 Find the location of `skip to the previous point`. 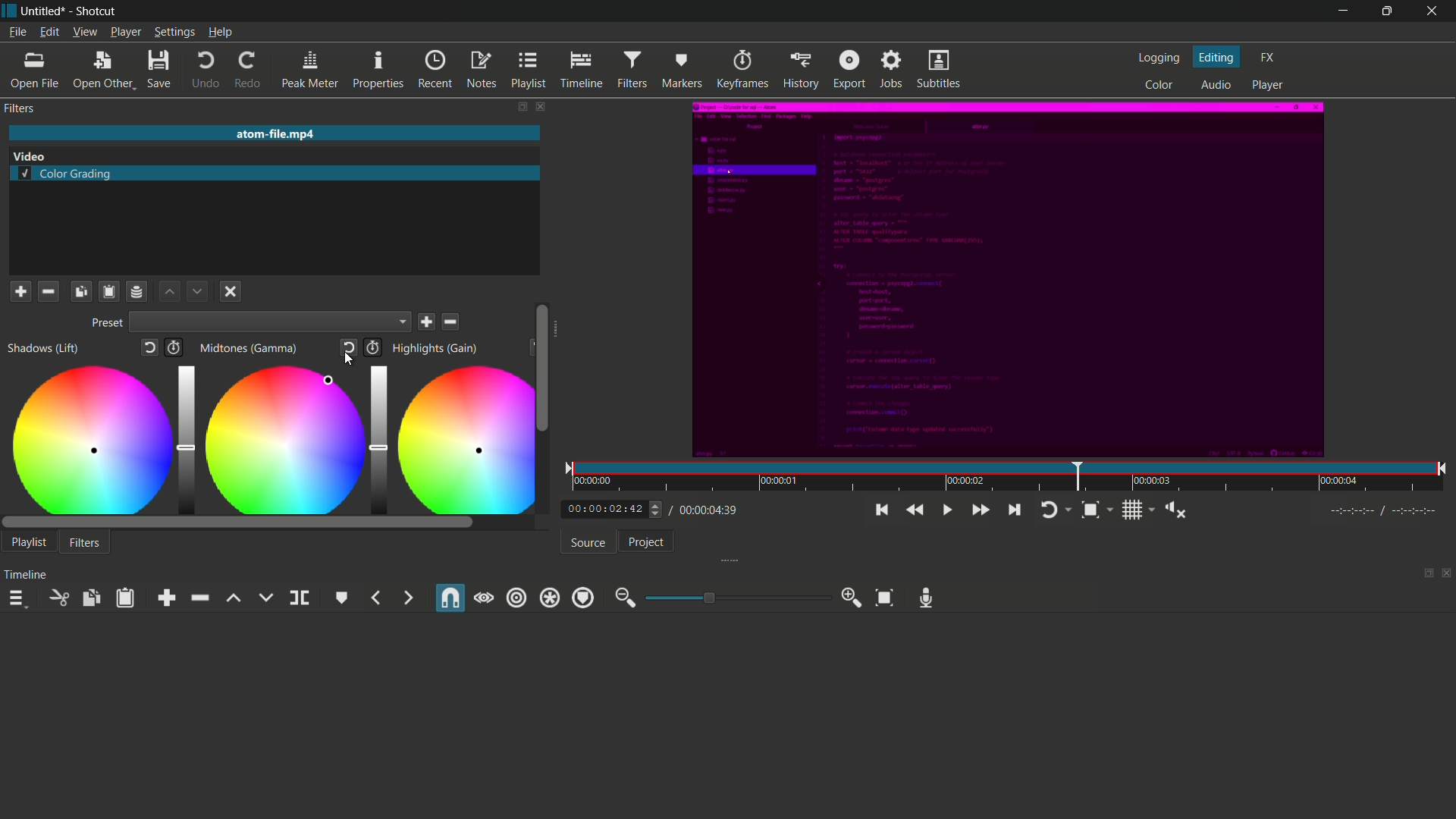

skip to the previous point is located at coordinates (880, 510).